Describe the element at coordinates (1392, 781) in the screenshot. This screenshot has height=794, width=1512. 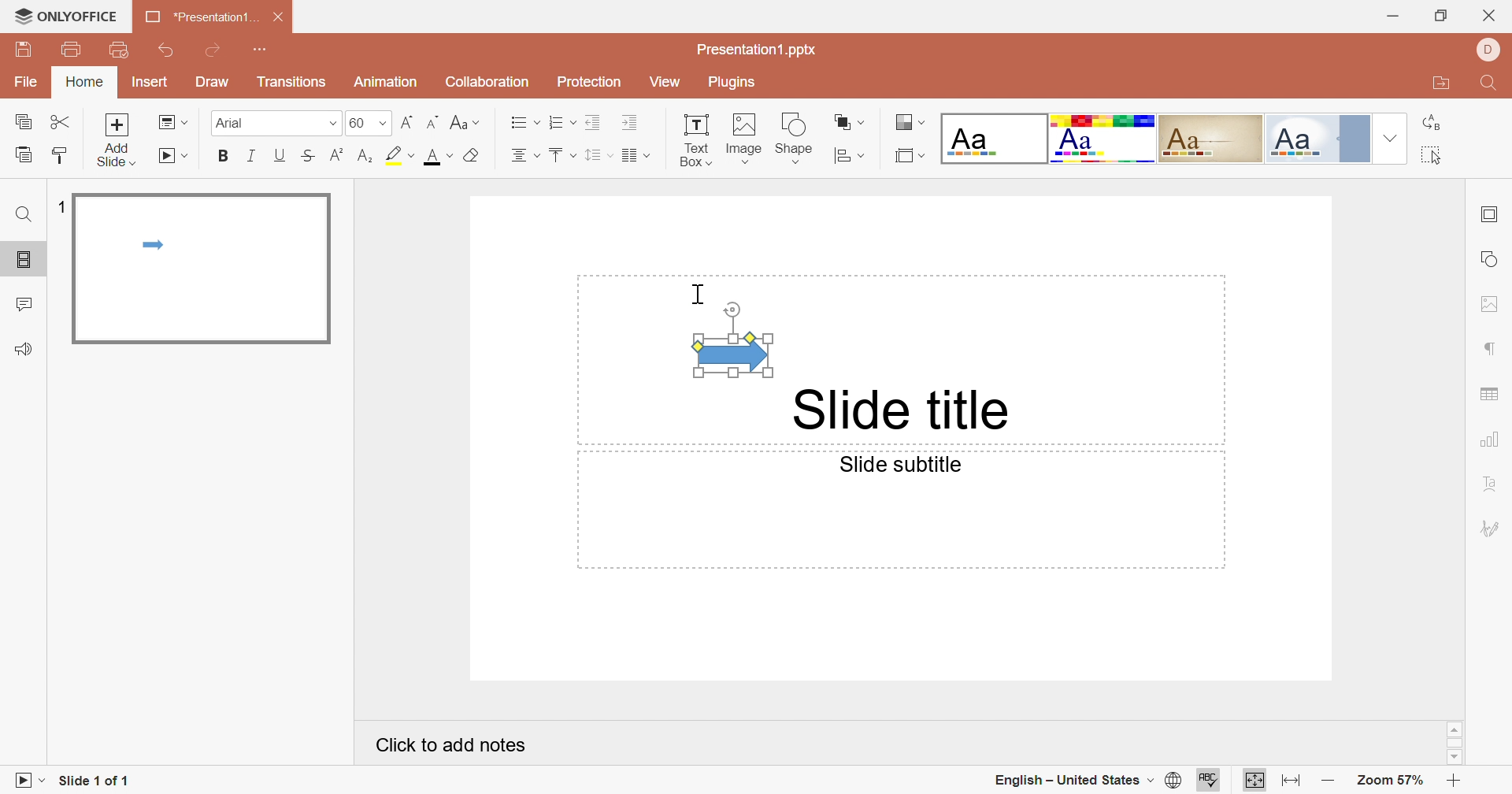
I see `Zoom 57%` at that location.